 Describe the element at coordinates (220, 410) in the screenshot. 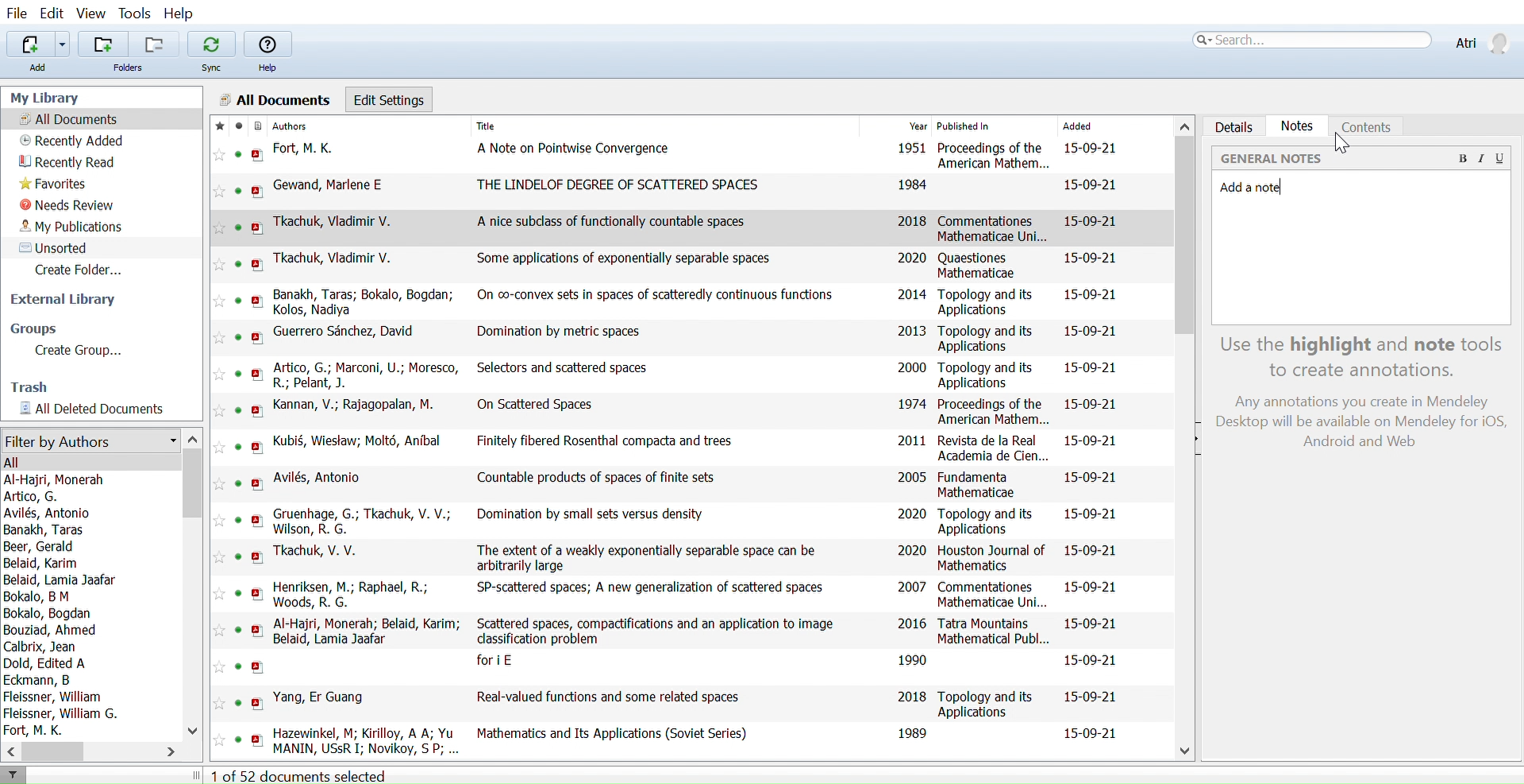

I see `Add this reference to favorites` at that location.